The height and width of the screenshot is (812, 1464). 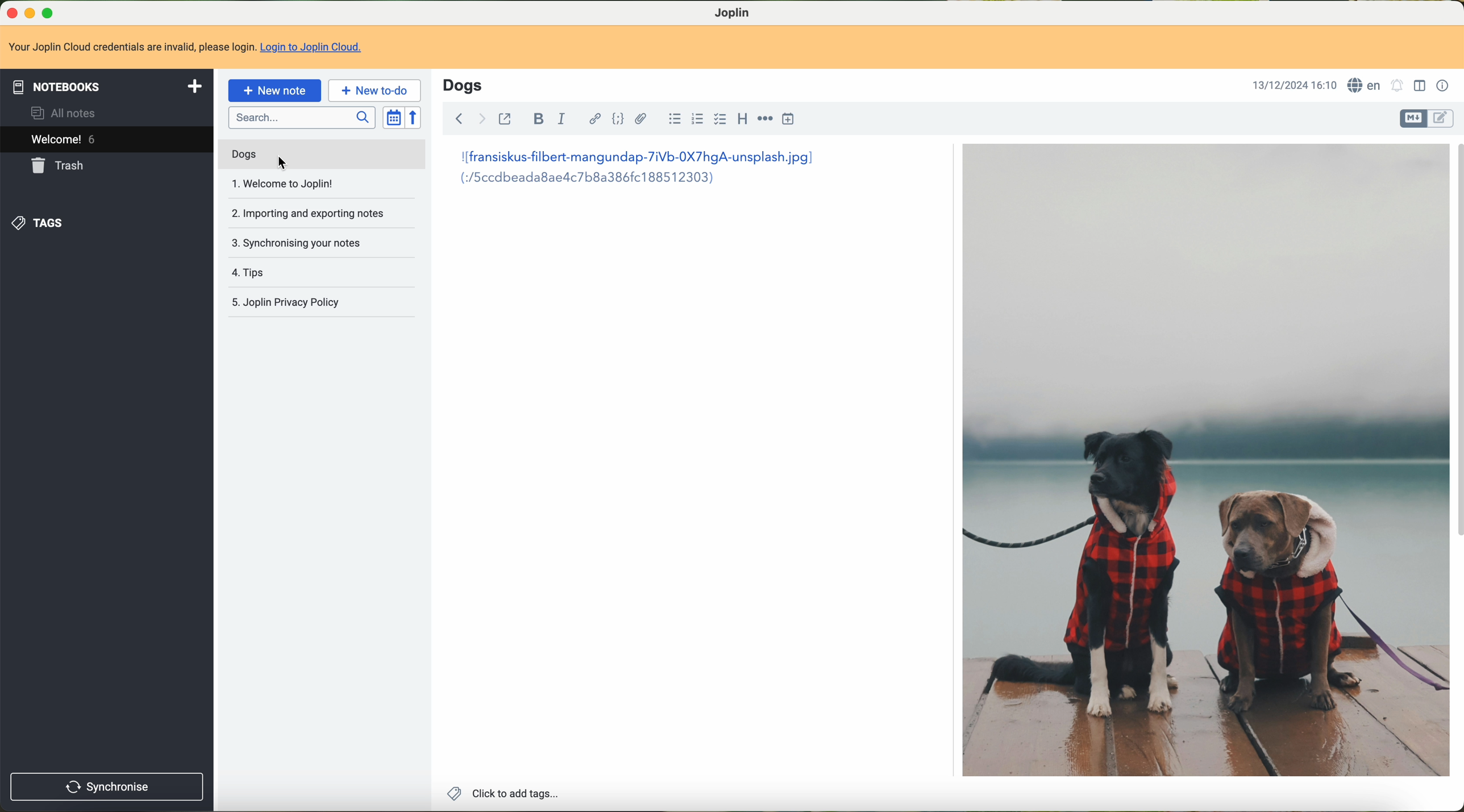 What do you see at coordinates (415, 118) in the screenshot?
I see `reverse sort order` at bounding box center [415, 118].